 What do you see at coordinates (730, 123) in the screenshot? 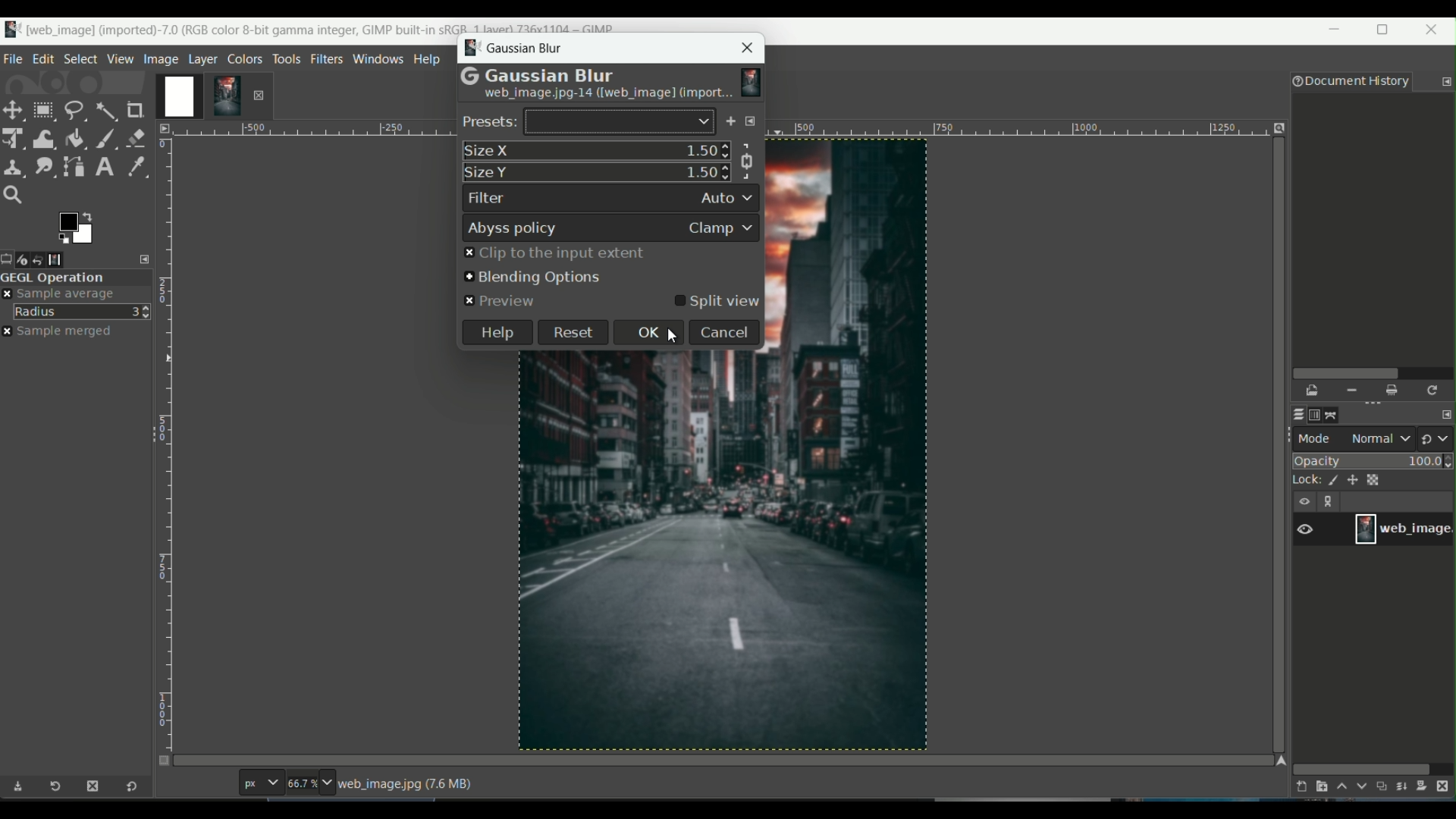
I see `add` at bounding box center [730, 123].